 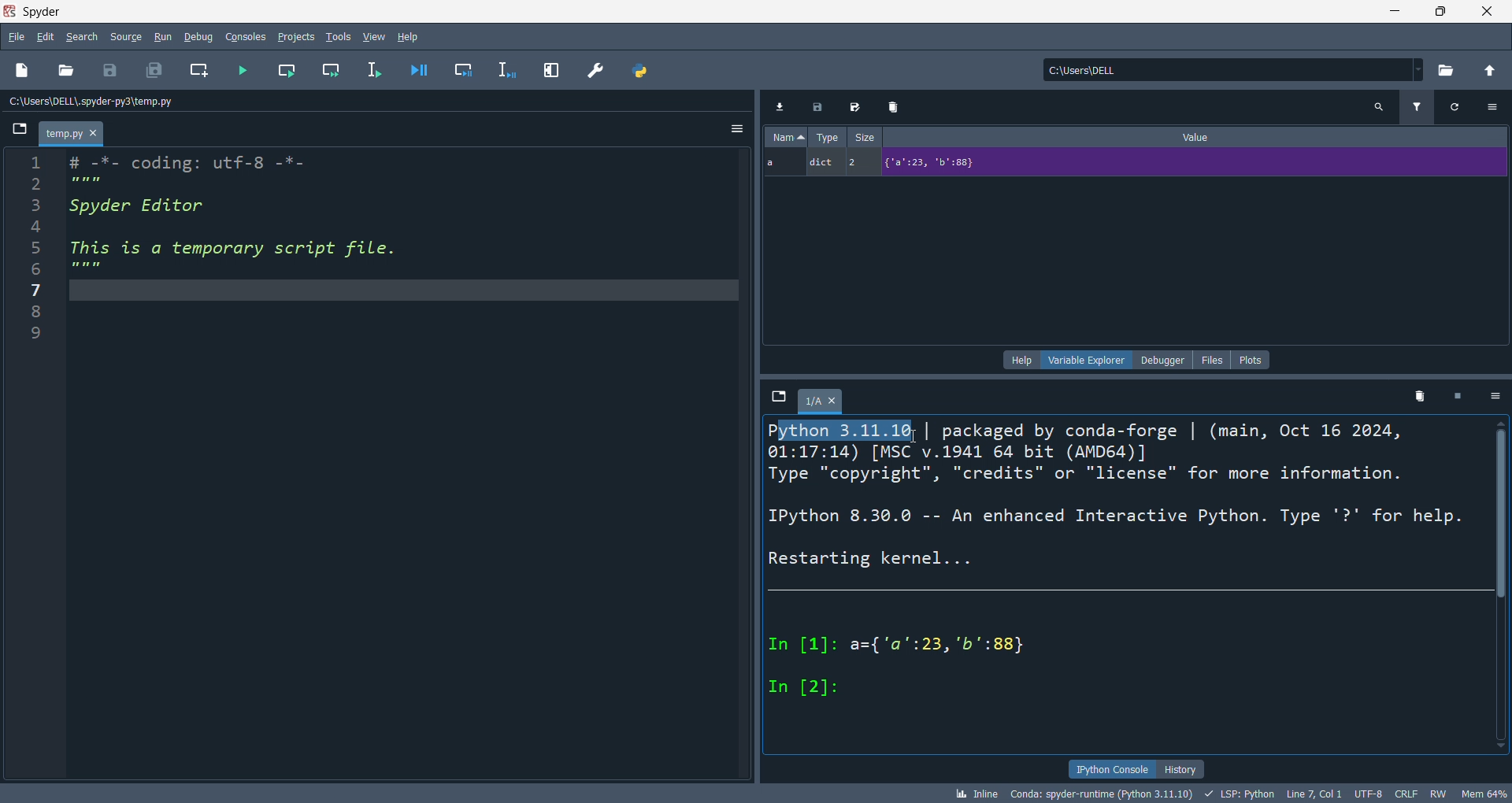 What do you see at coordinates (1131, 164) in the screenshot?
I see `a, dict, 2, {'a':23, 'b': 88}` at bounding box center [1131, 164].